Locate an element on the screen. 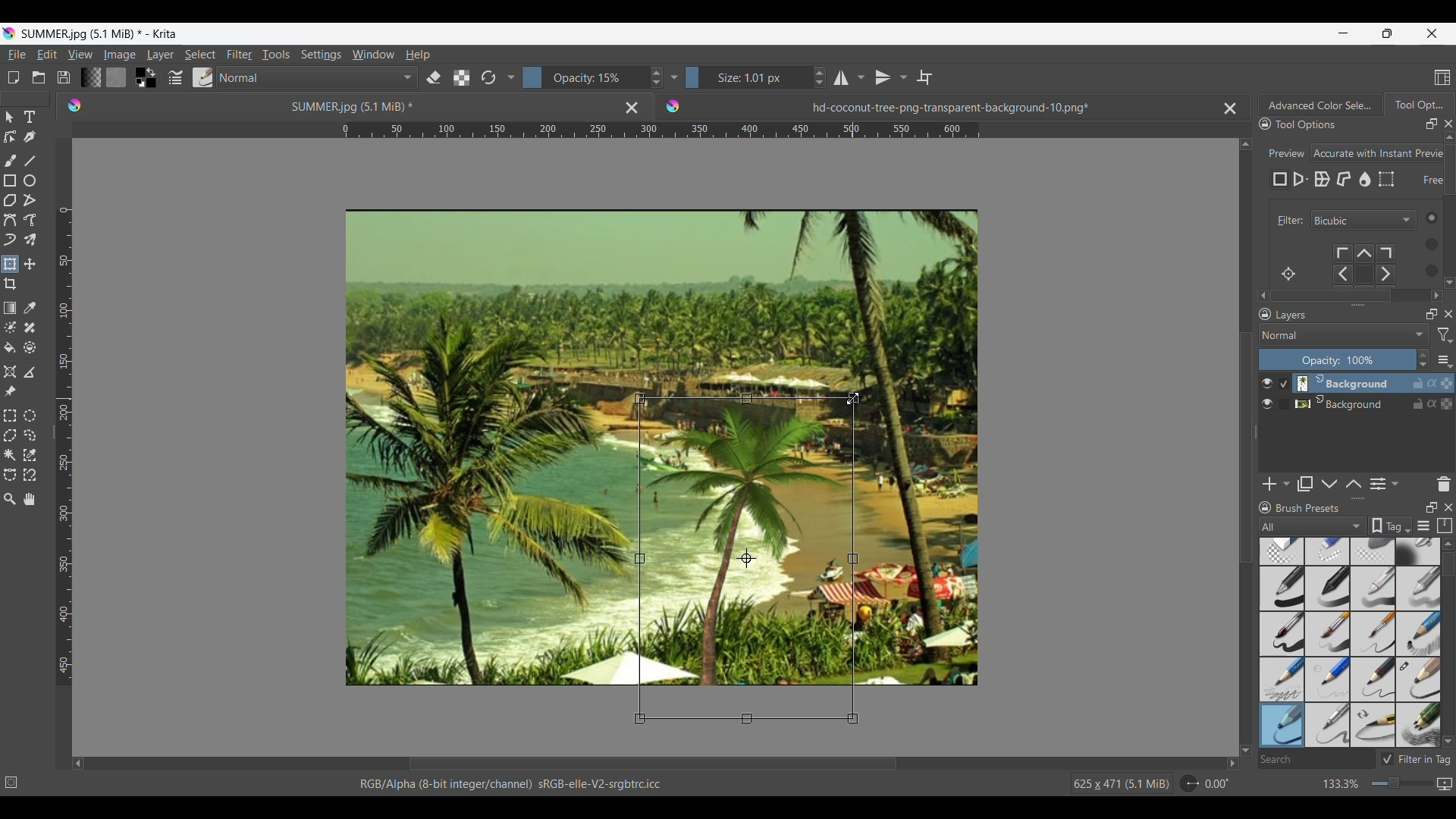 The image size is (1456, 819). Dynamic brush tool is located at coordinates (10, 240).